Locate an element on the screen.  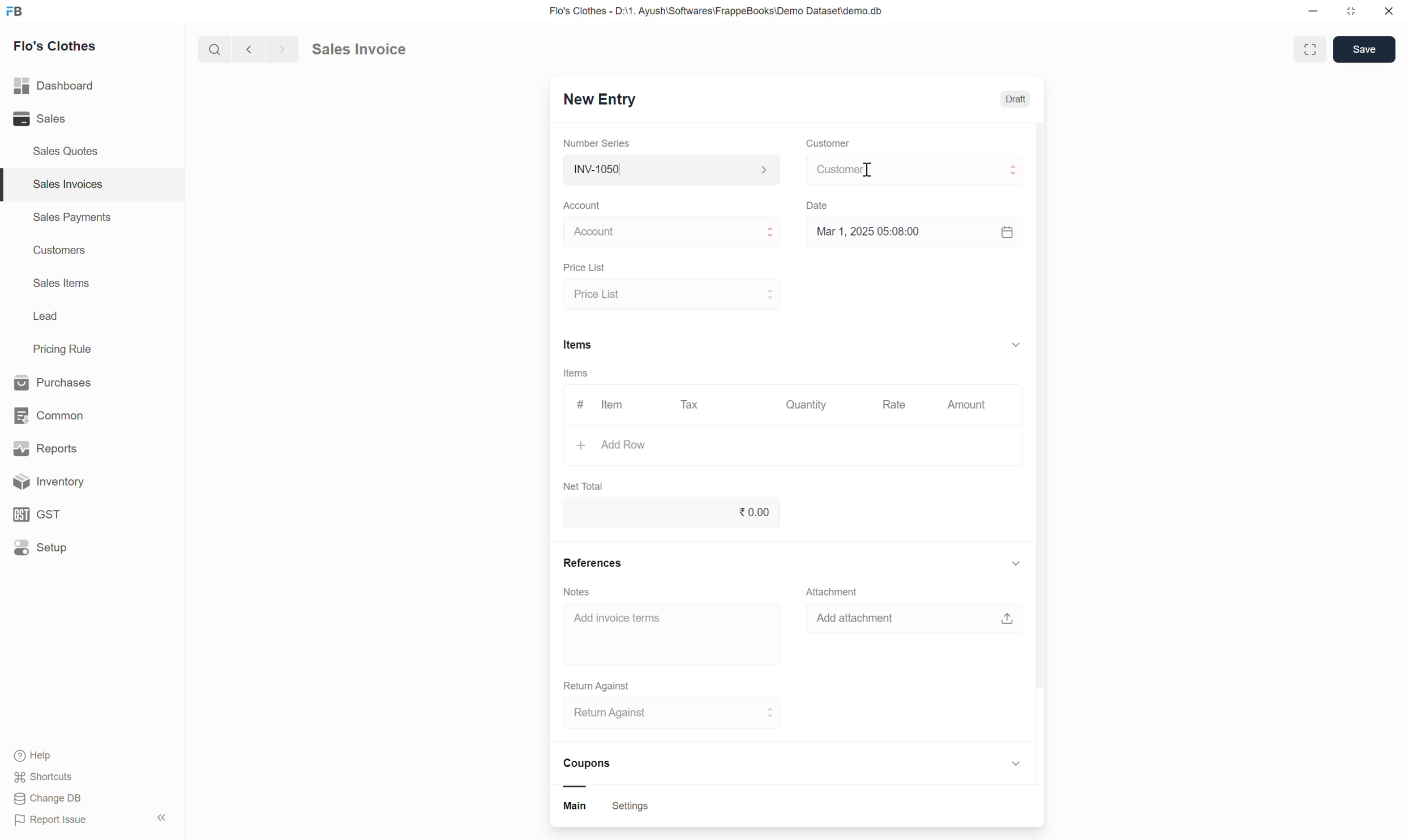
Inventory  is located at coordinates (85, 482).